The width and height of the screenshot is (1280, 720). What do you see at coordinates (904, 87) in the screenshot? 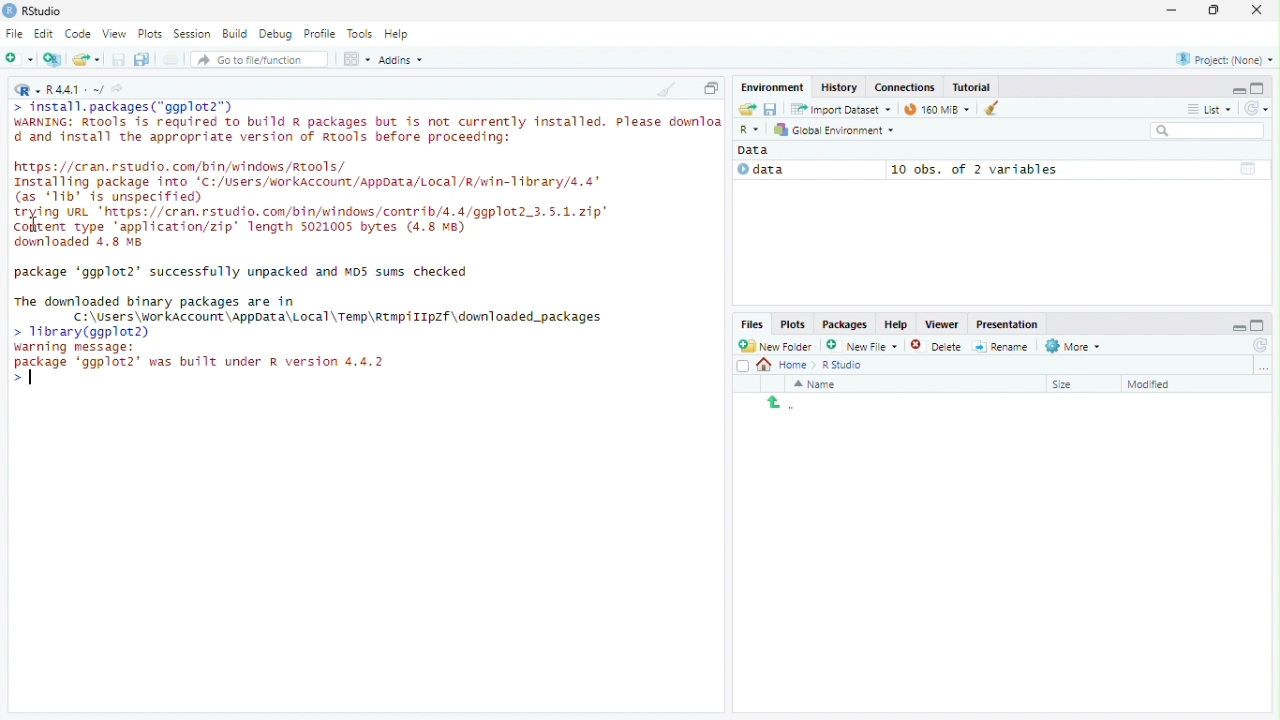
I see `Connections` at bounding box center [904, 87].